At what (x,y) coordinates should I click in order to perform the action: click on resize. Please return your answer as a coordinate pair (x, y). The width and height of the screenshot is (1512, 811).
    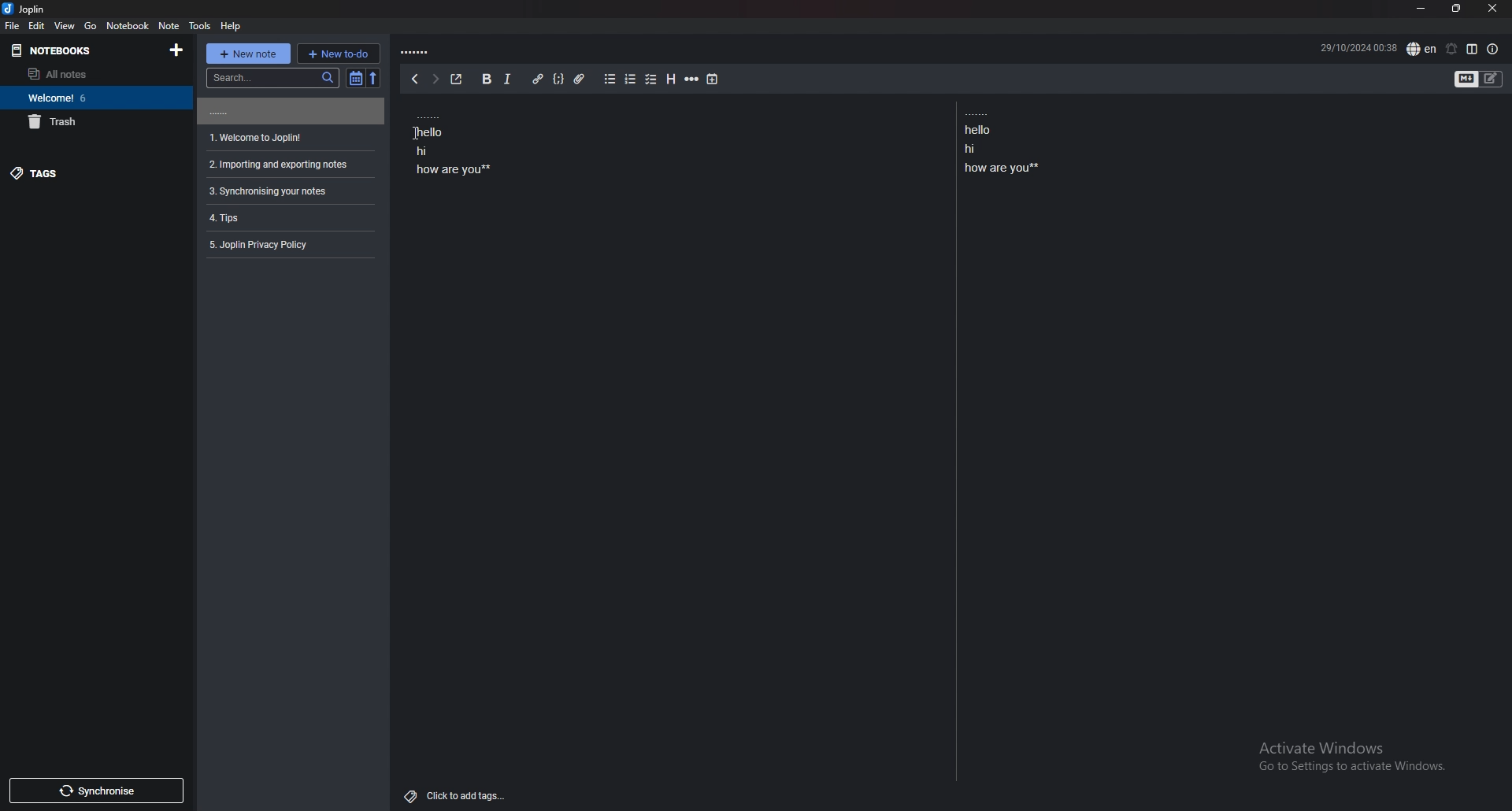
    Looking at the image, I should click on (1457, 9).